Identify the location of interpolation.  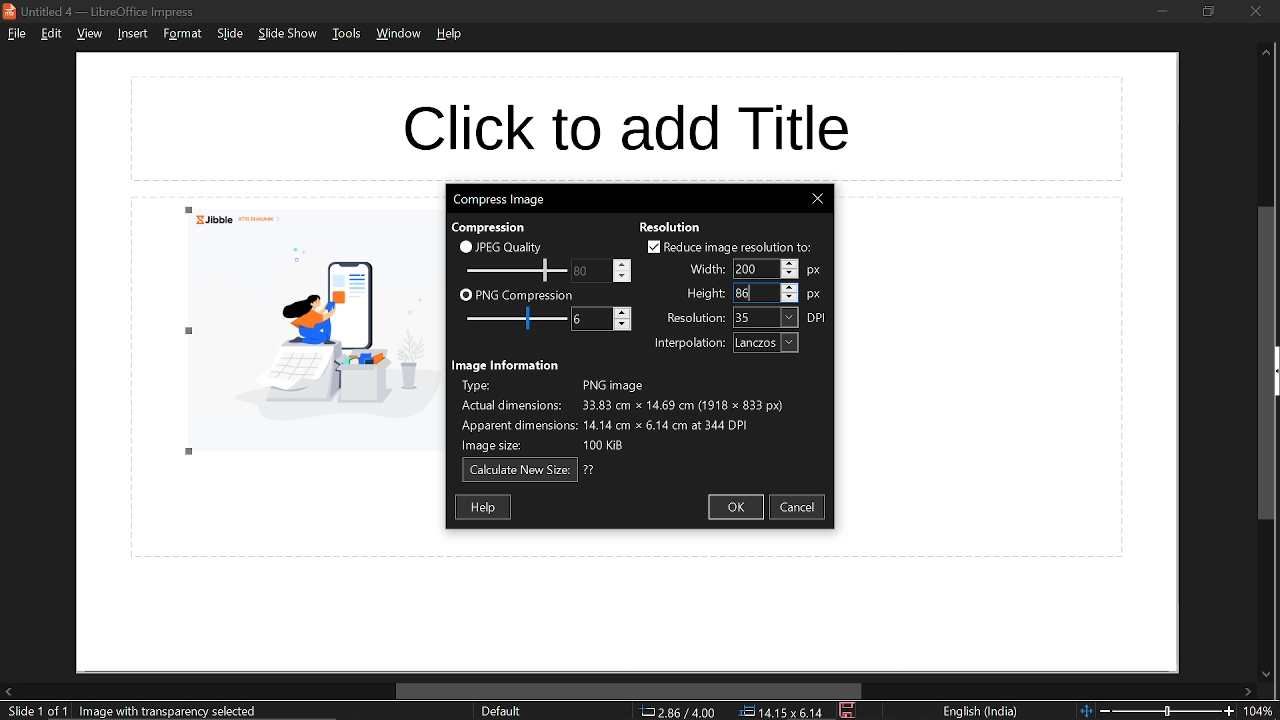
(685, 344).